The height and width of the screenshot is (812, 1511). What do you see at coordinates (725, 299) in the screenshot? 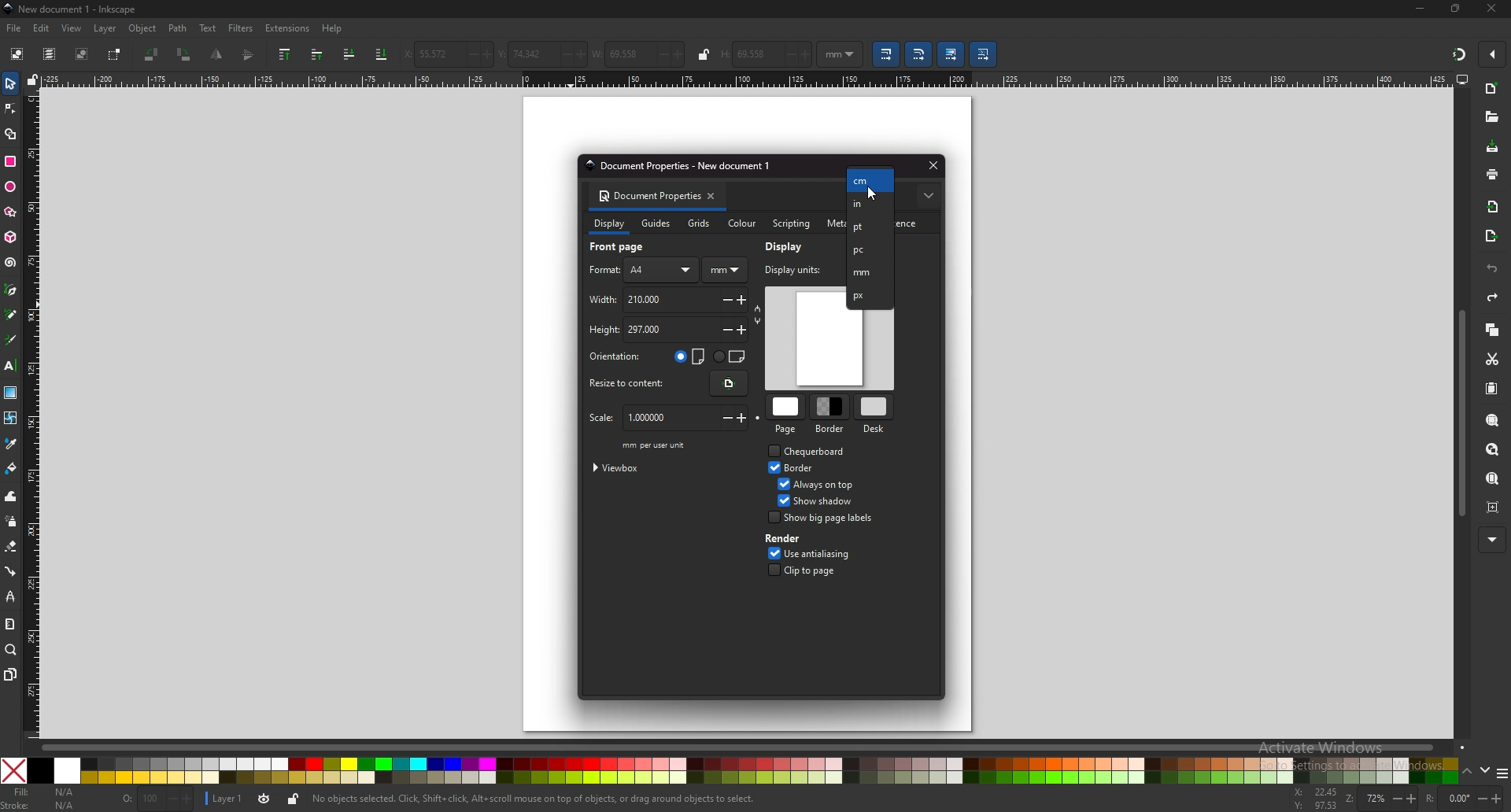
I see `-` at bounding box center [725, 299].